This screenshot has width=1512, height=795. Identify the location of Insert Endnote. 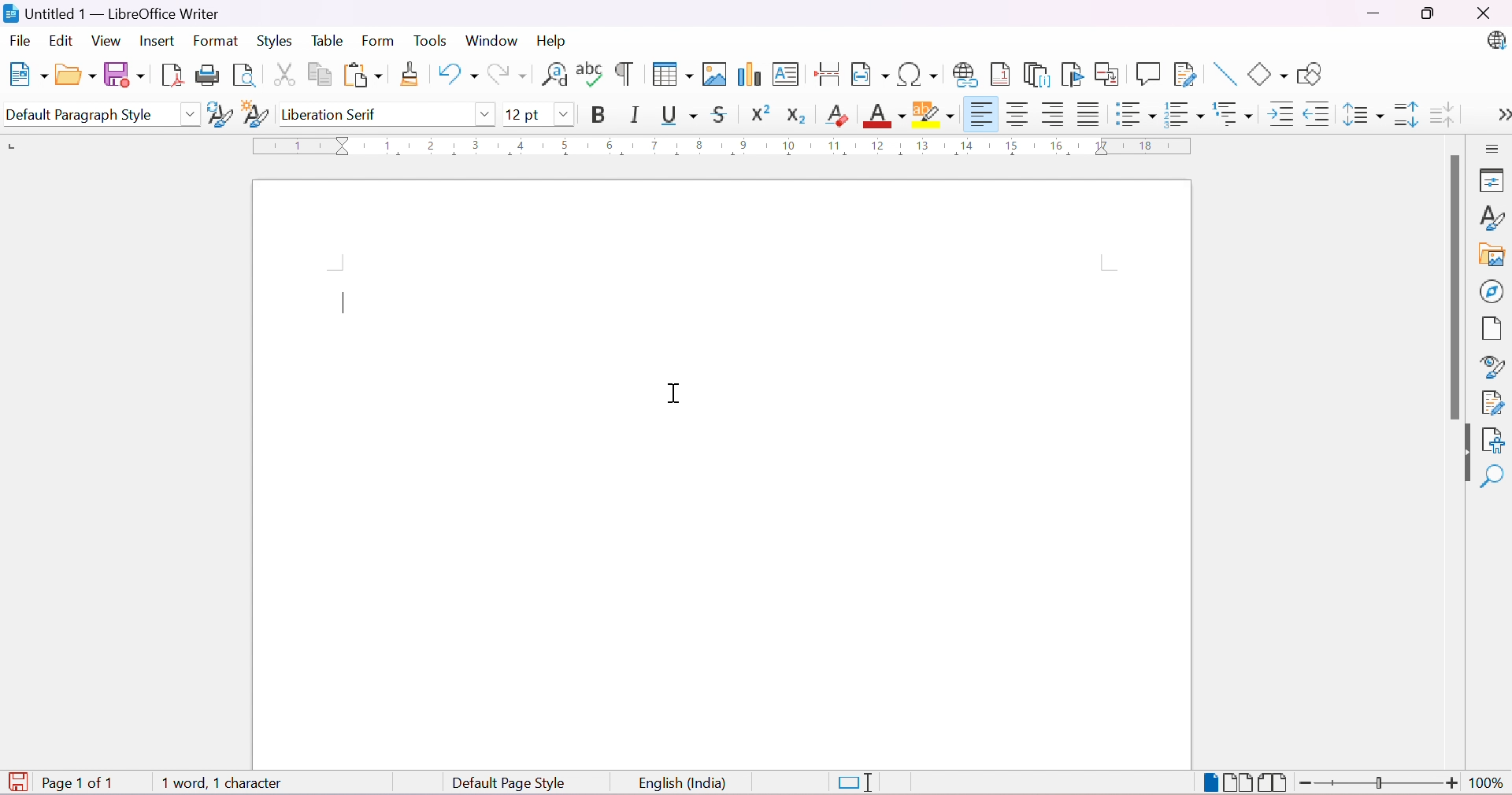
(1034, 75).